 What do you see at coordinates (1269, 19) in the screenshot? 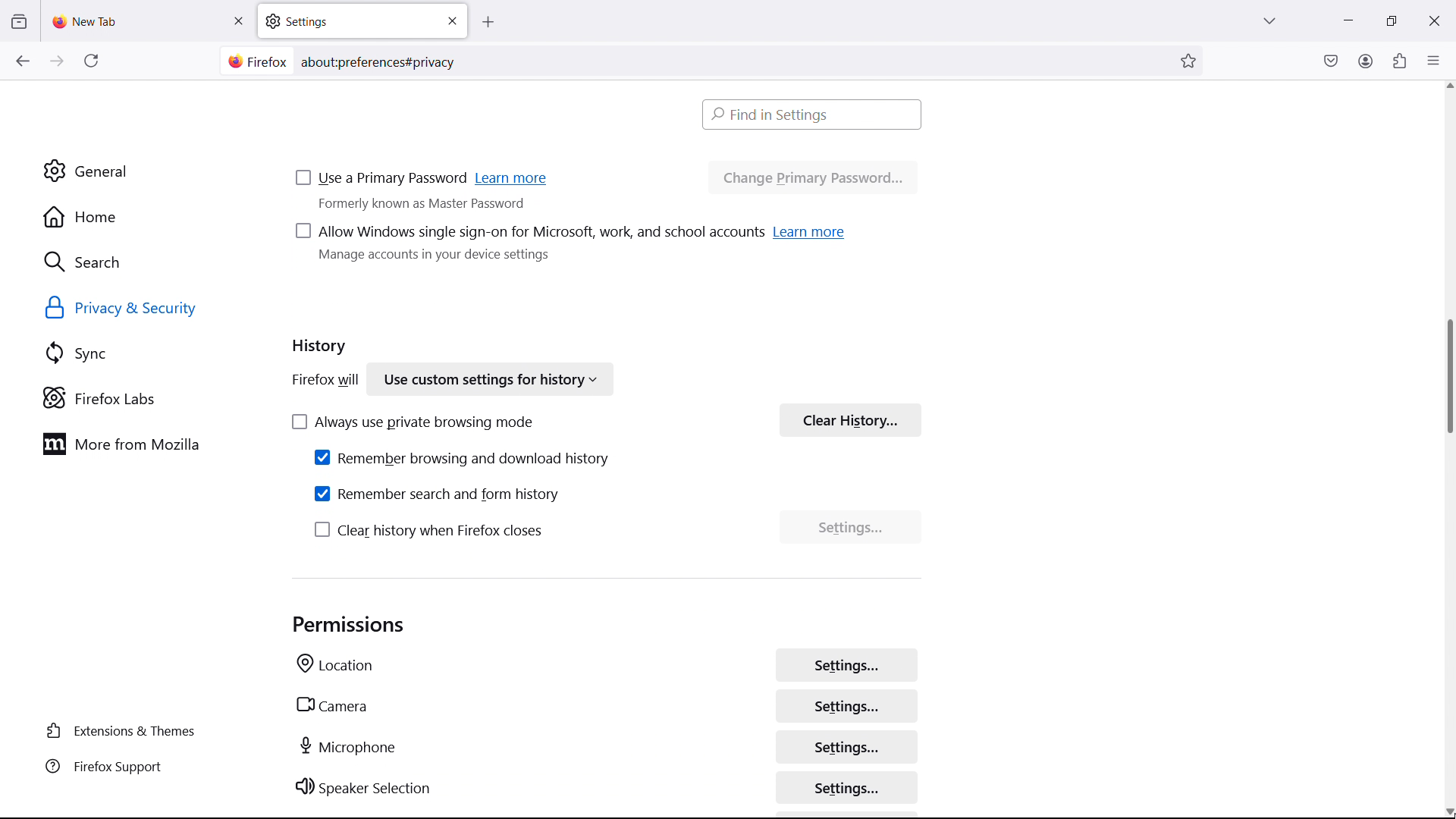
I see `list all tabs` at bounding box center [1269, 19].